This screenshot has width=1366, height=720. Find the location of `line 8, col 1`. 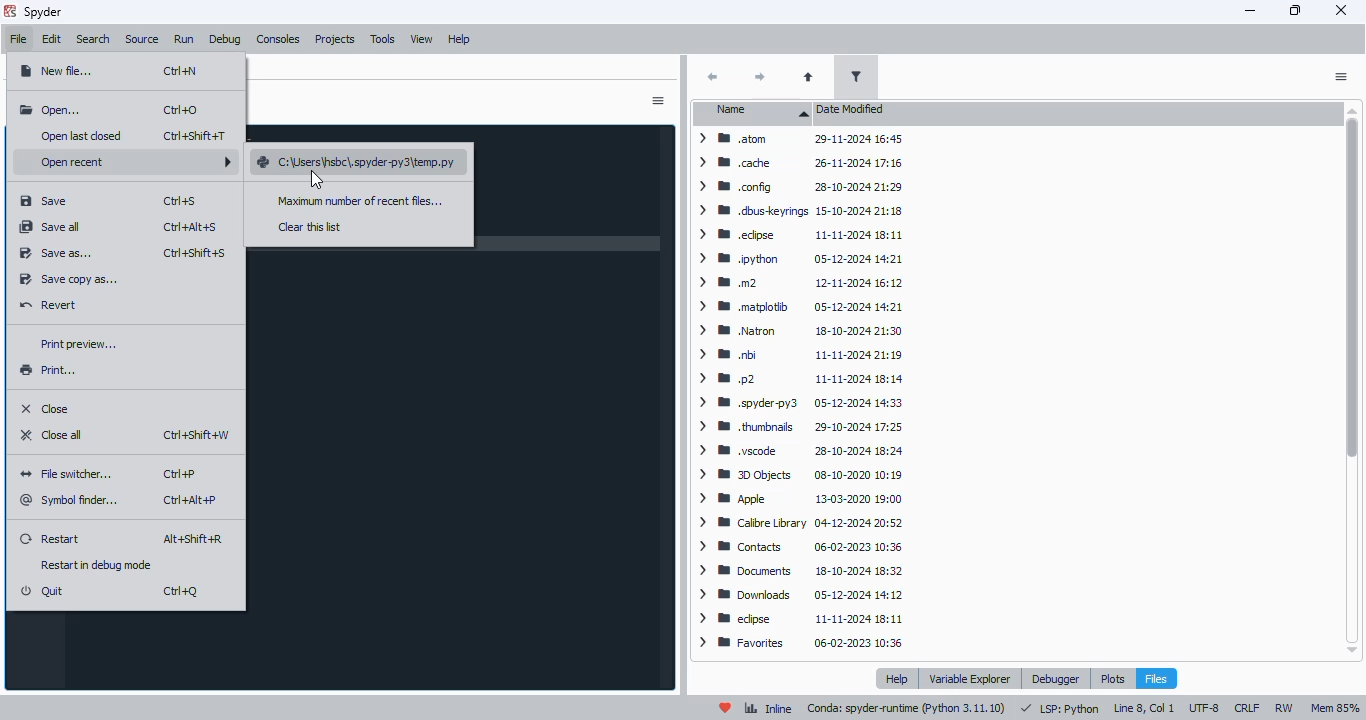

line 8, col 1 is located at coordinates (1145, 708).